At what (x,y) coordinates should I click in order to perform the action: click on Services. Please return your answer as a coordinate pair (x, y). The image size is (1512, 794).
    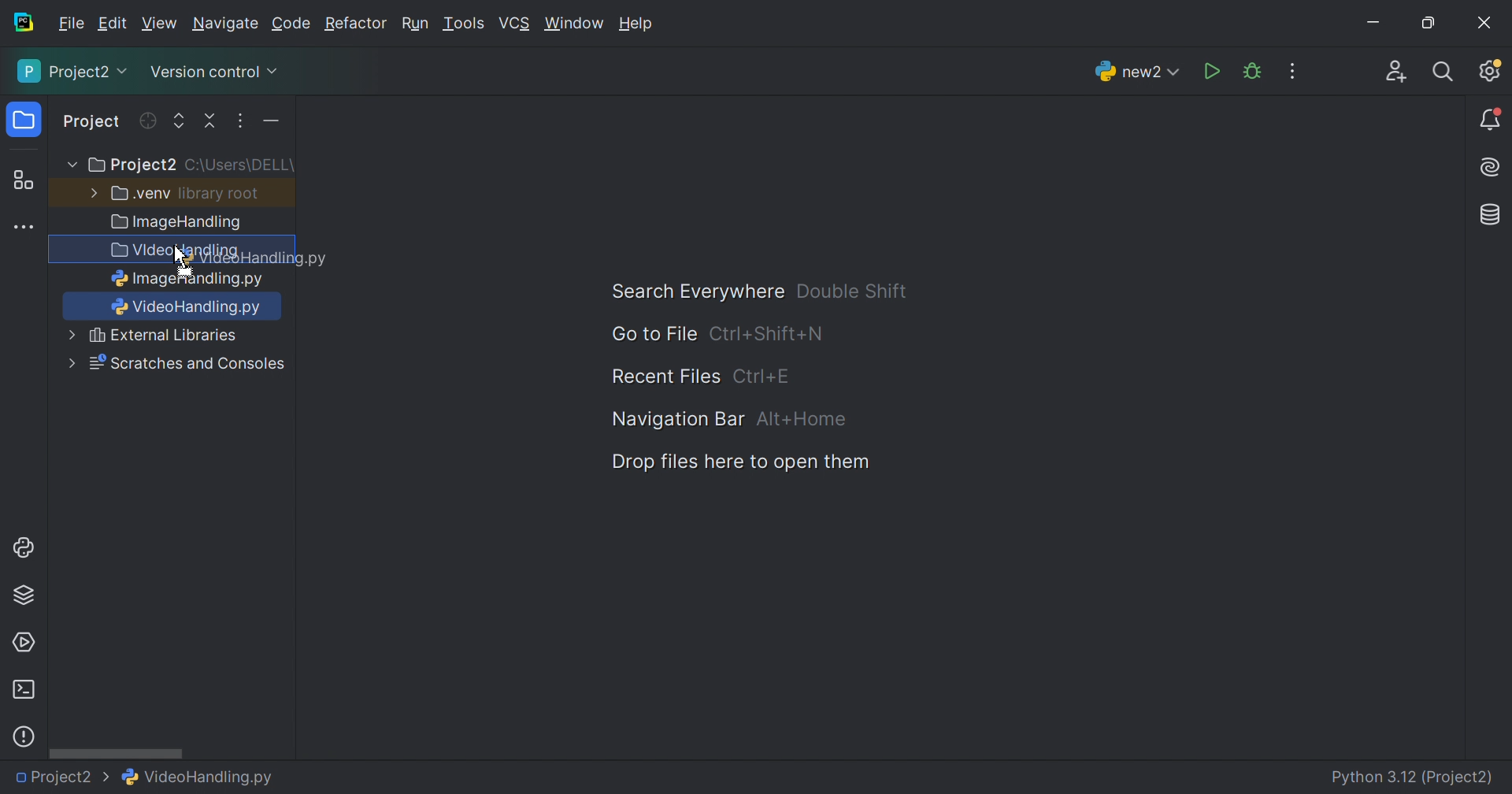
    Looking at the image, I should click on (23, 643).